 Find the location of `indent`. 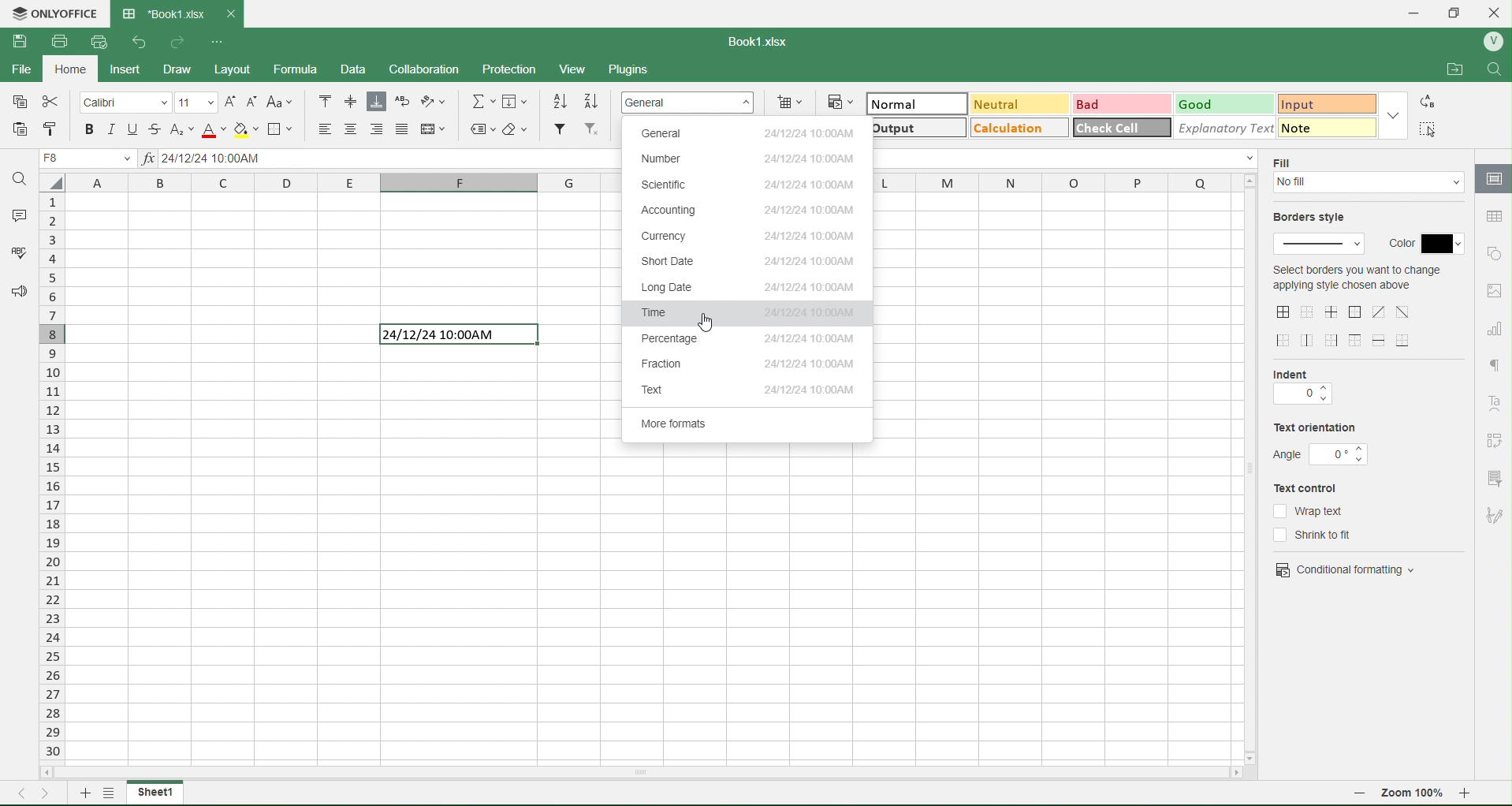

indent is located at coordinates (1299, 373).